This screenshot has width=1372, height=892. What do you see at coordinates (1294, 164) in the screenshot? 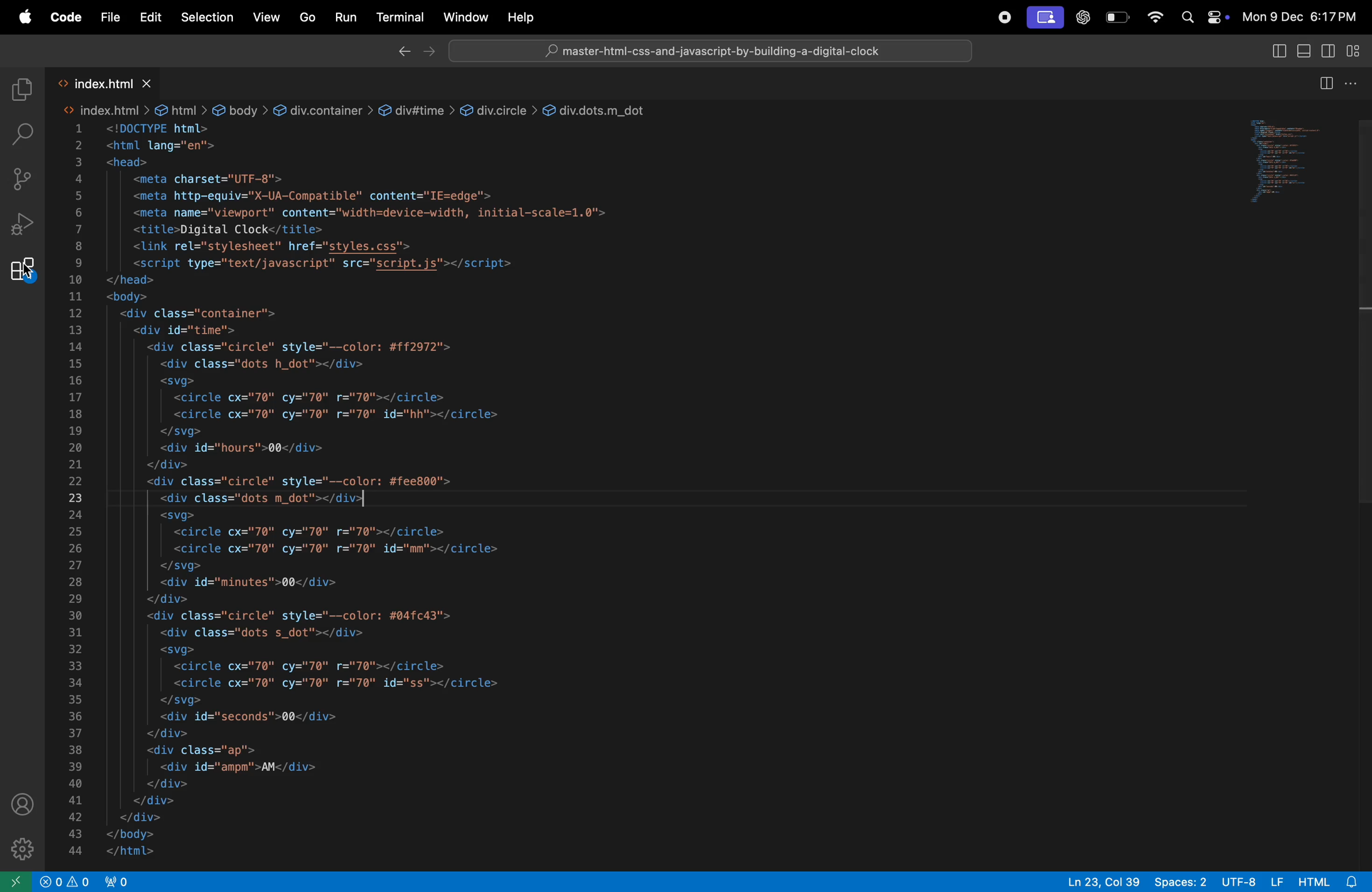
I see `code block` at bounding box center [1294, 164].